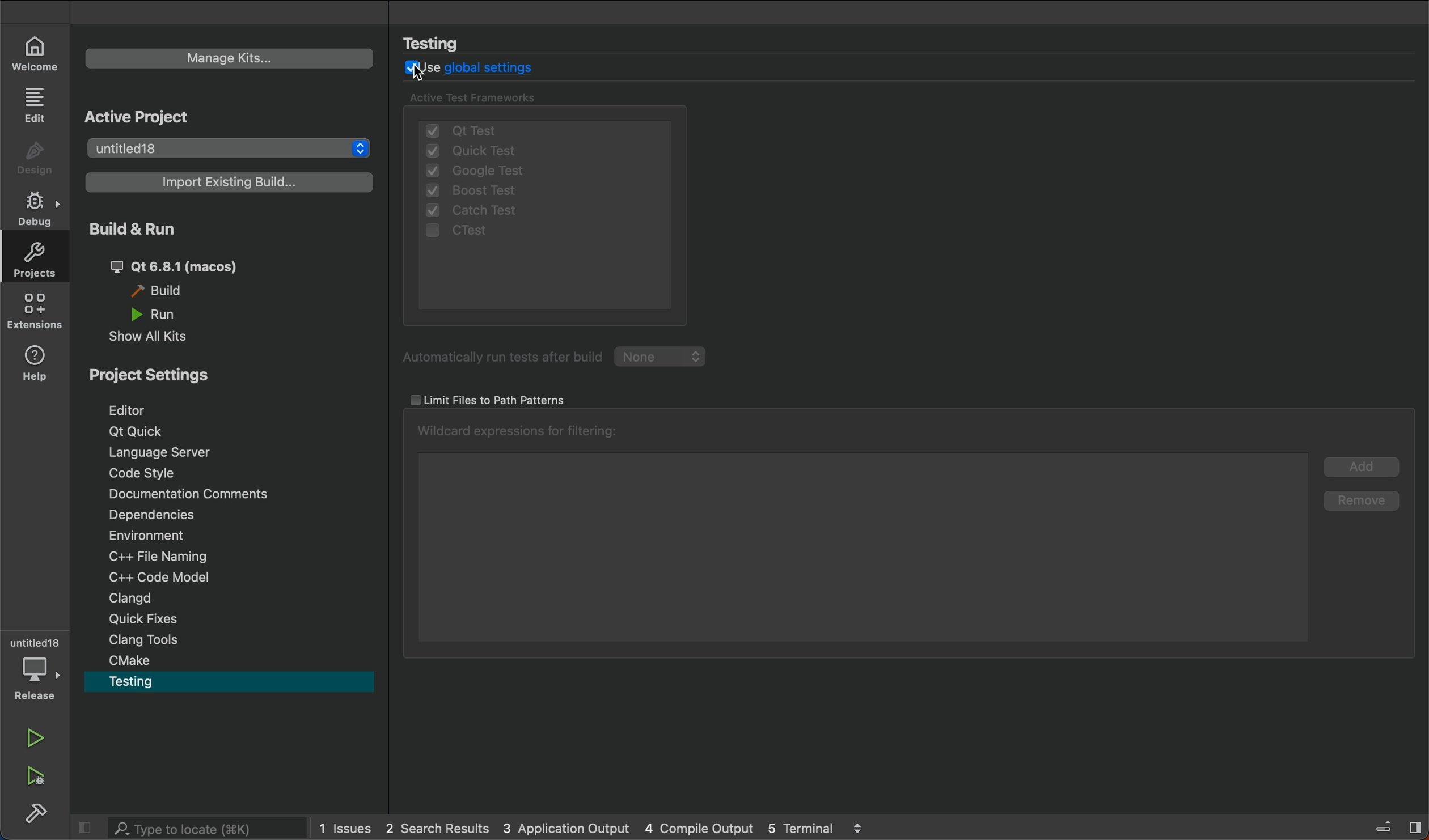 This screenshot has height=840, width=1429. What do you see at coordinates (36, 362) in the screenshot?
I see `help` at bounding box center [36, 362].